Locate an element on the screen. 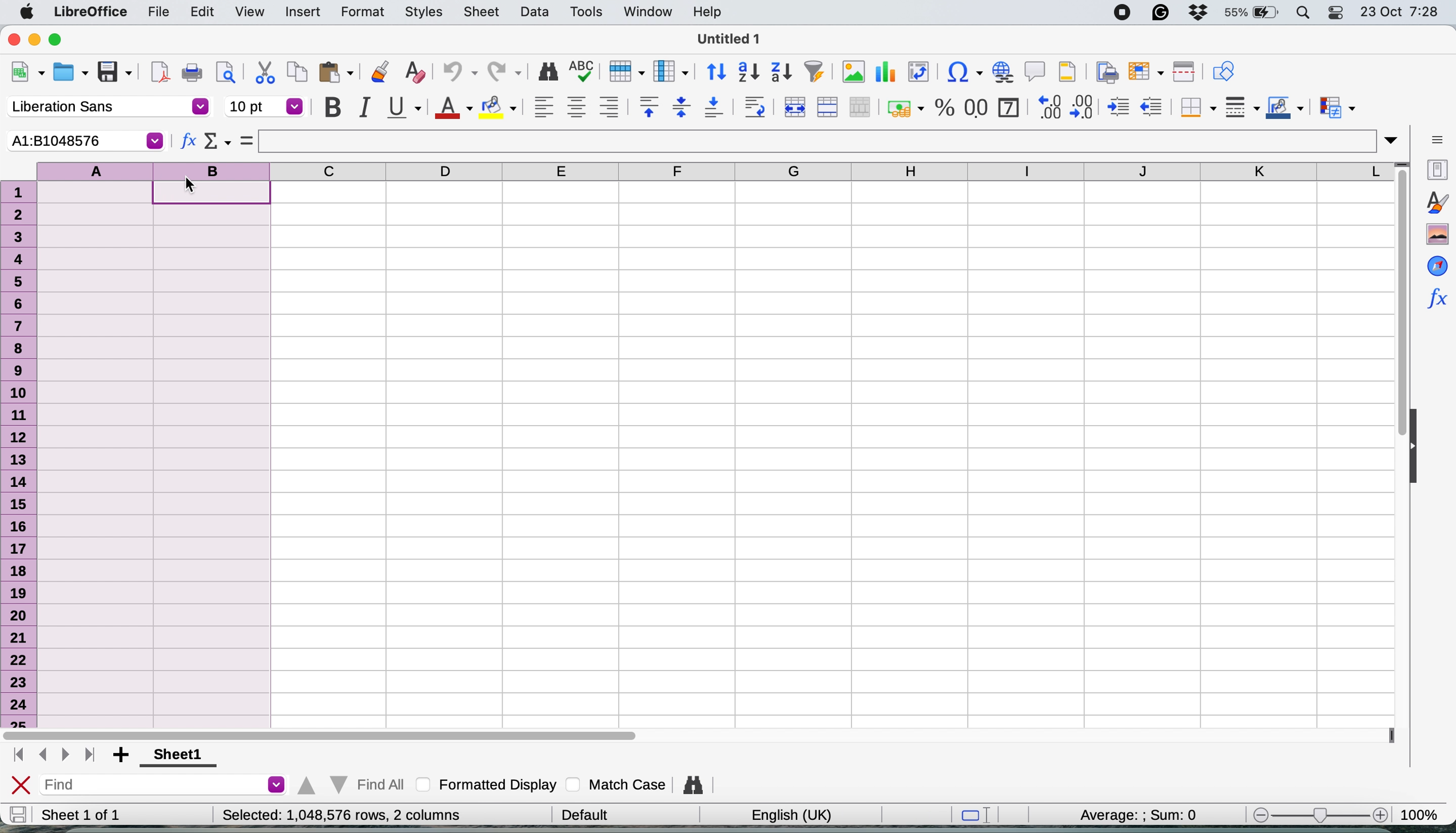 This screenshot has height=833, width=1456. vertical scroll bar is located at coordinates (1400, 297).